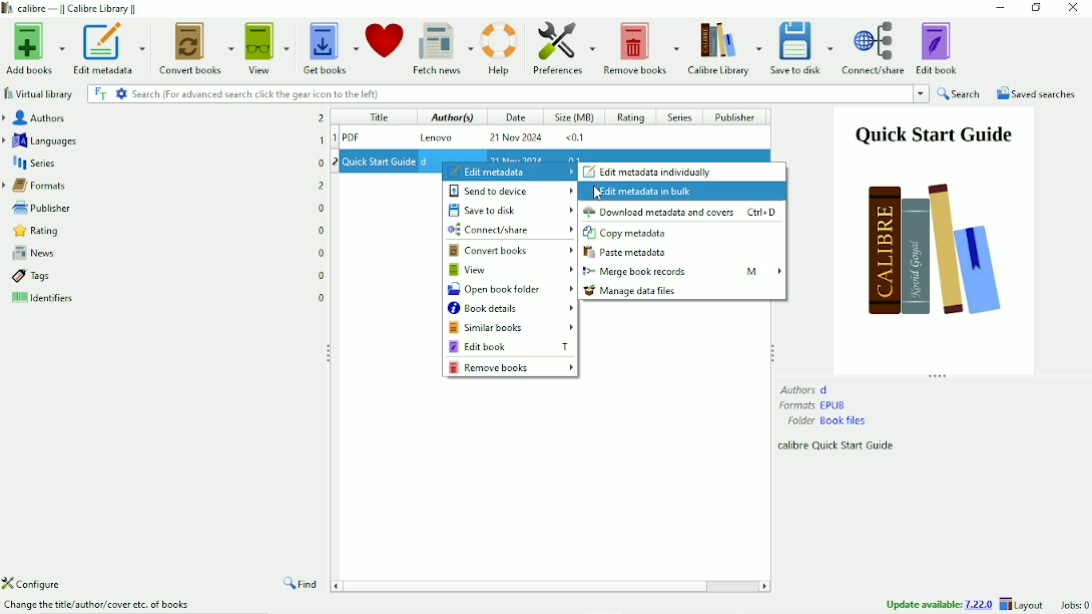 This screenshot has height=614, width=1092. What do you see at coordinates (1037, 94) in the screenshot?
I see `Saved searches` at bounding box center [1037, 94].